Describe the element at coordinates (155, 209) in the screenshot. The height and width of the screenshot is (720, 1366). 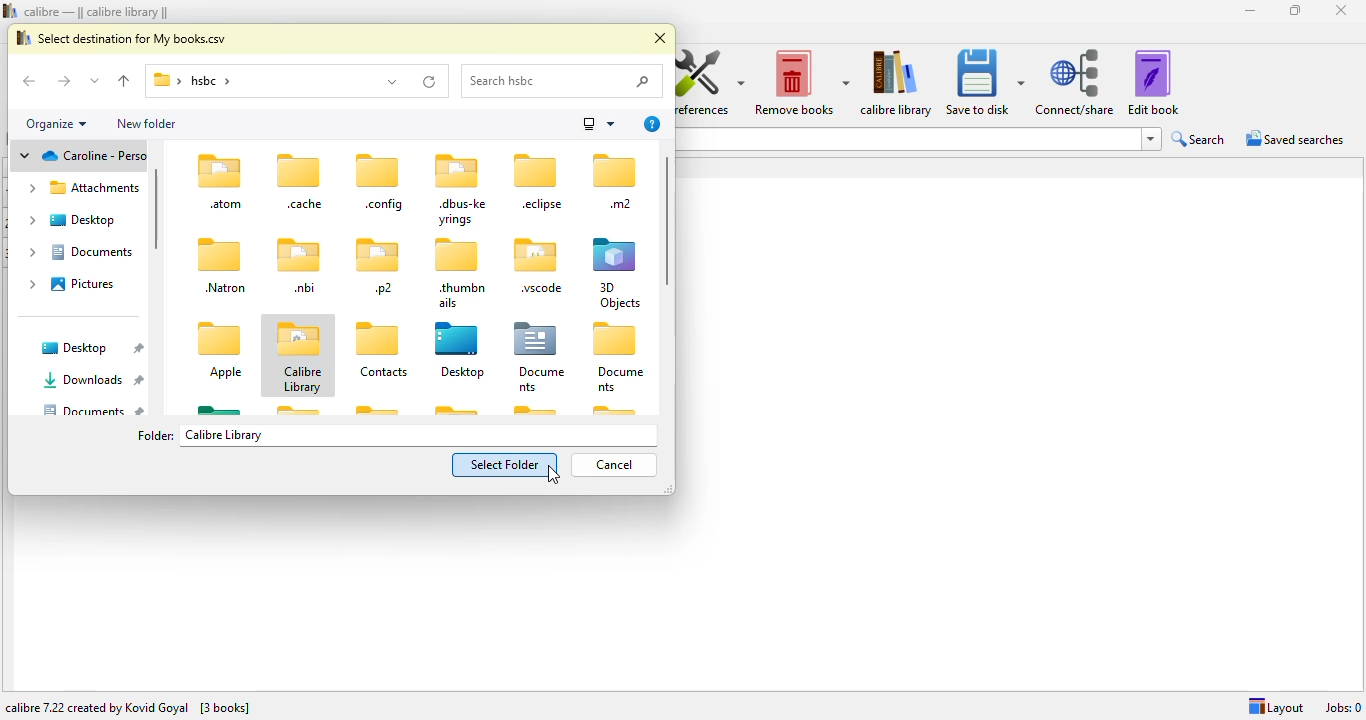
I see `vertical scroll bar` at that location.